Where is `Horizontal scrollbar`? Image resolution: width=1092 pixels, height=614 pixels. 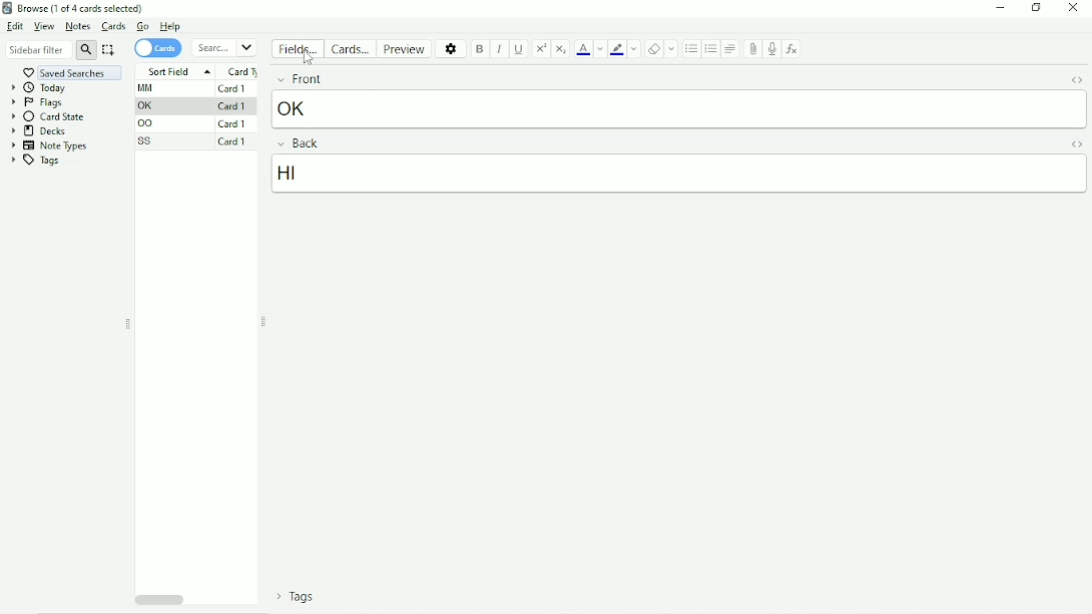 Horizontal scrollbar is located at coordinates (158, 600).